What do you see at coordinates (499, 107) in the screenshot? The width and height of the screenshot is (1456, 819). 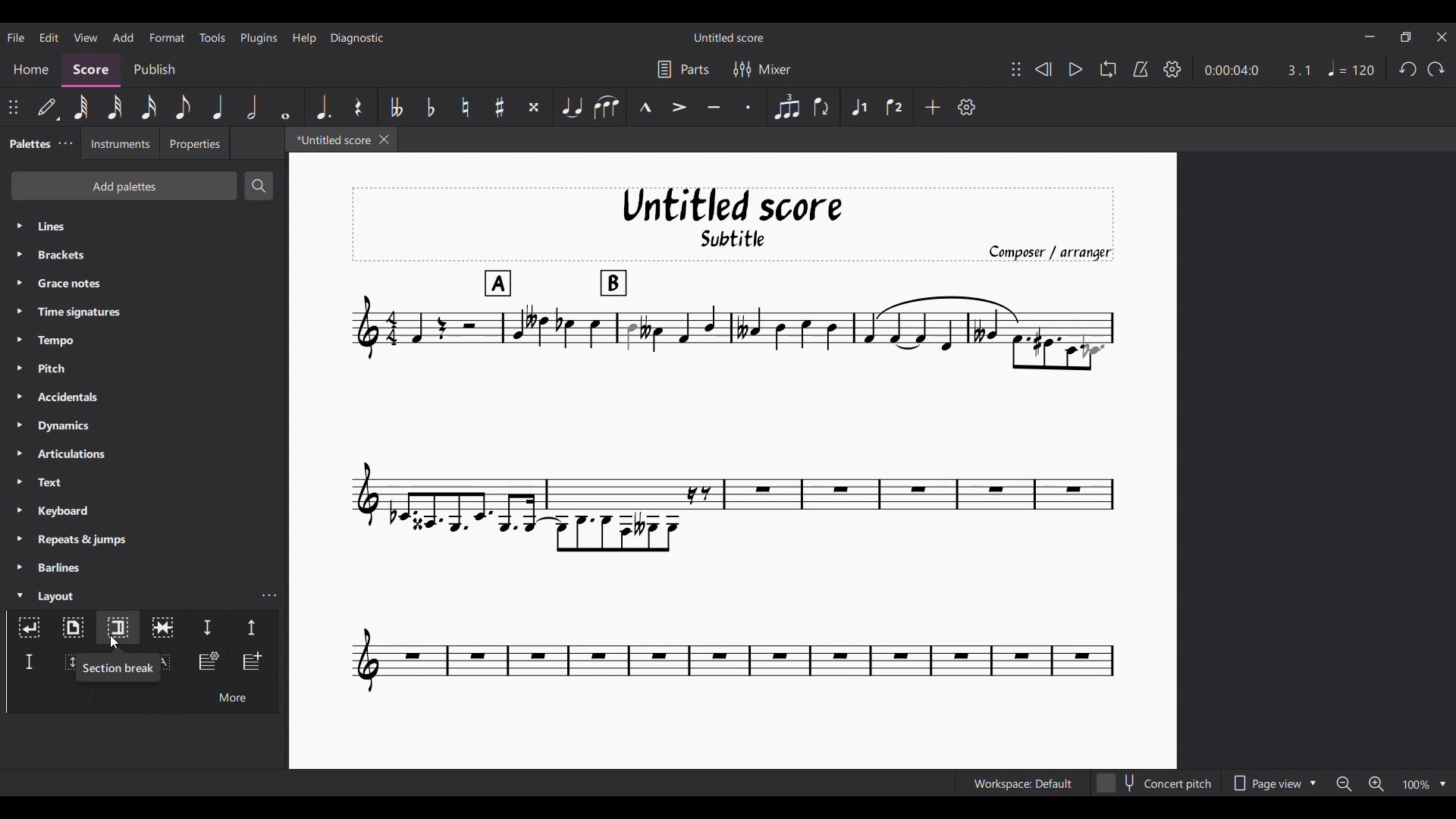 I see `Toggle sharp` at bounding box center [499, 107].